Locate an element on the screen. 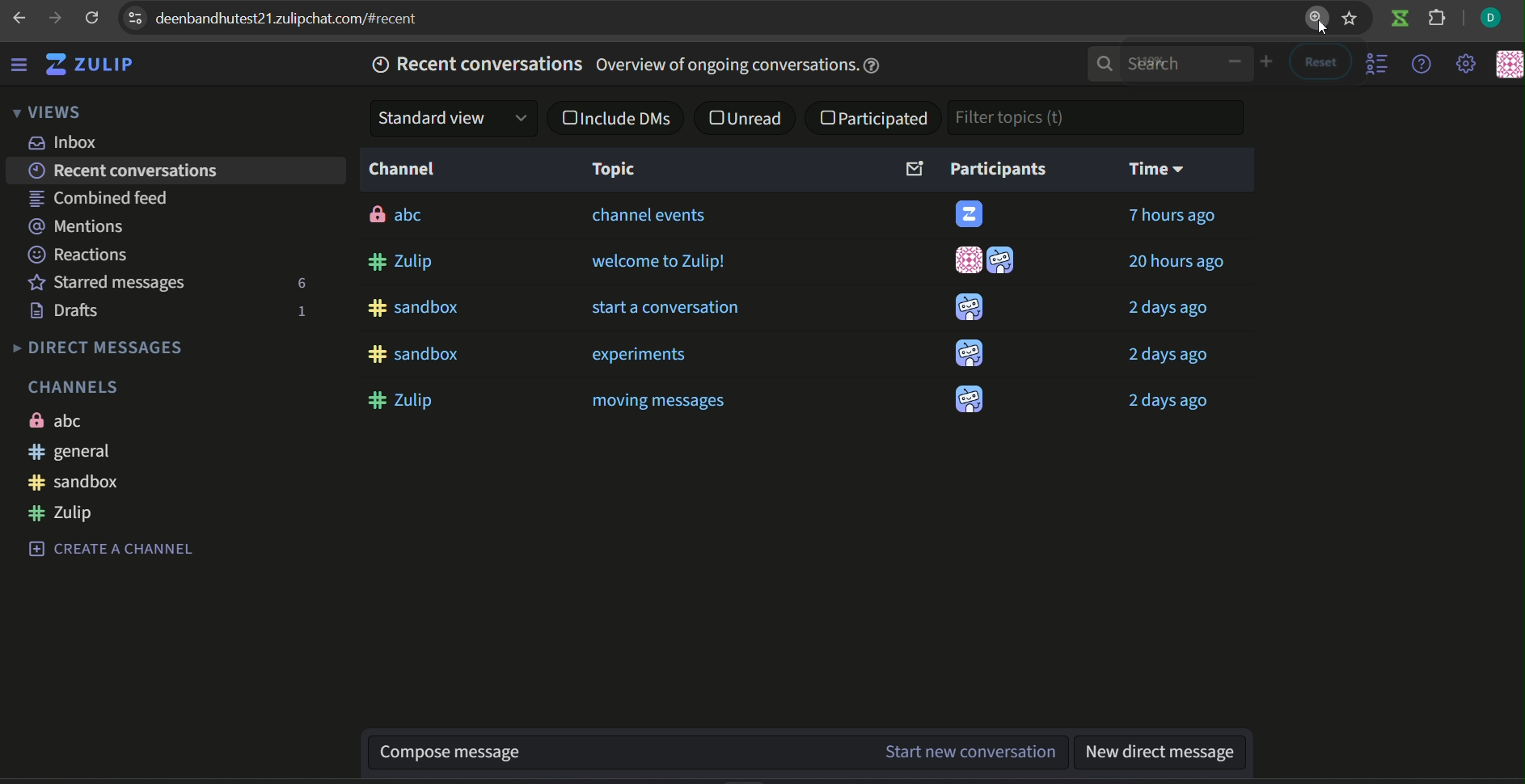 Image resolution: width=1525 pixels, height=784 pixels. mentions is located at coordinates (81, 227).